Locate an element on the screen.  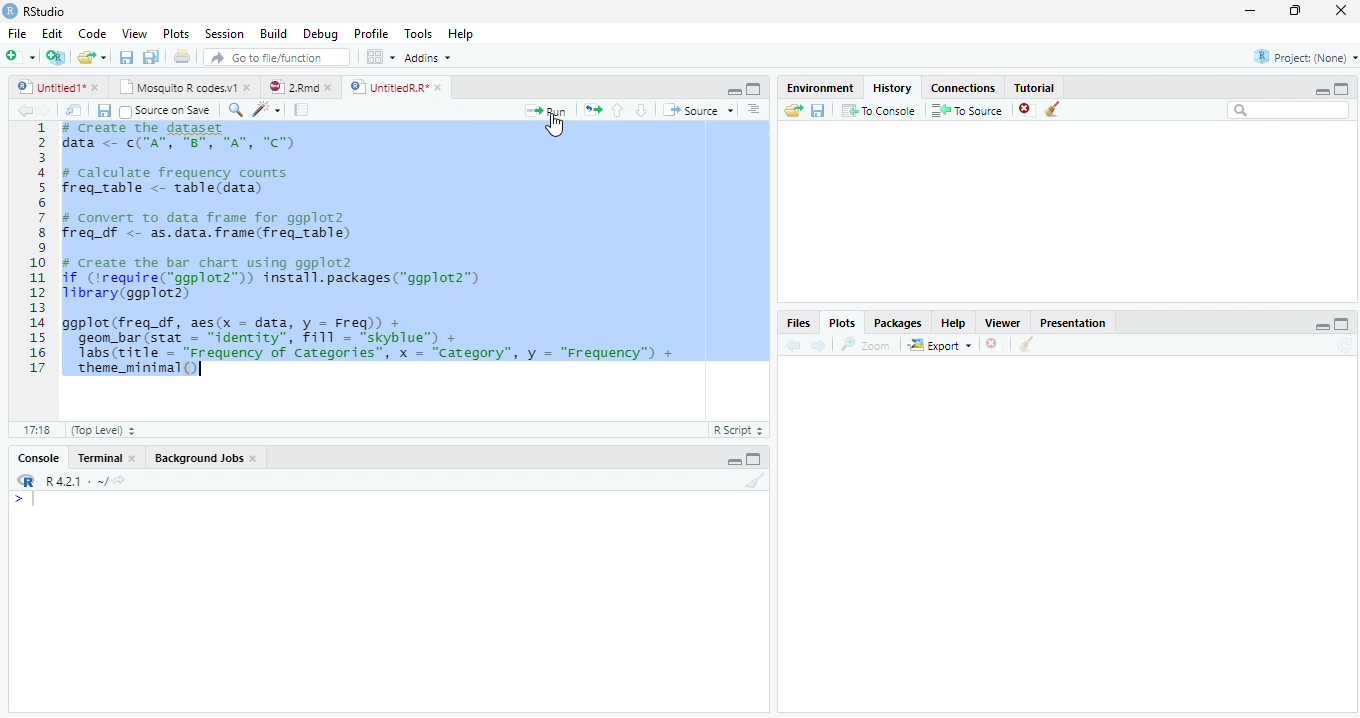
Code is located at coordinates (96, 34).